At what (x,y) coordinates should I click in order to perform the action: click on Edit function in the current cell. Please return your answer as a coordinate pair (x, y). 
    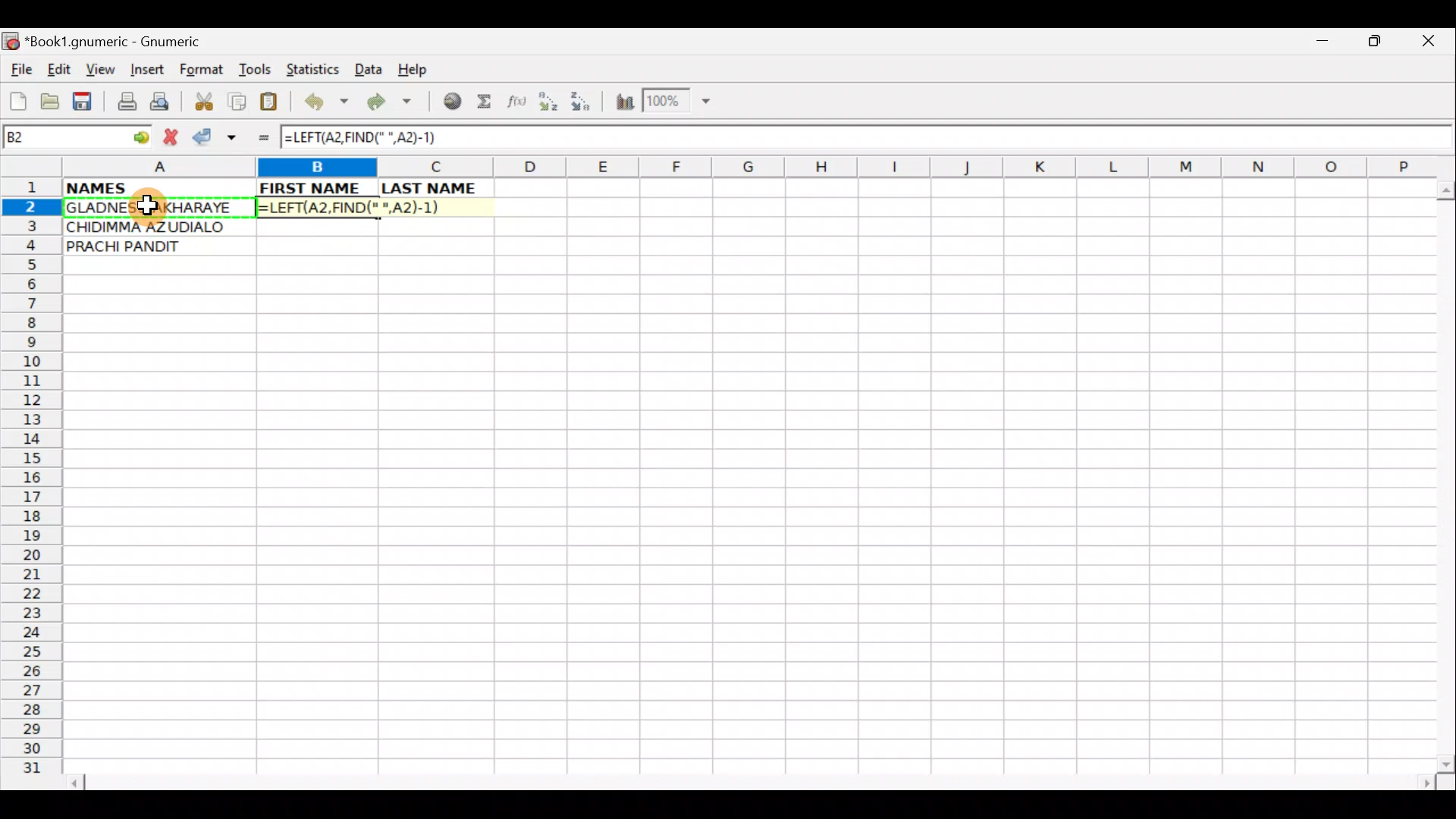
    Looking at the image, I should click on (519, 105).